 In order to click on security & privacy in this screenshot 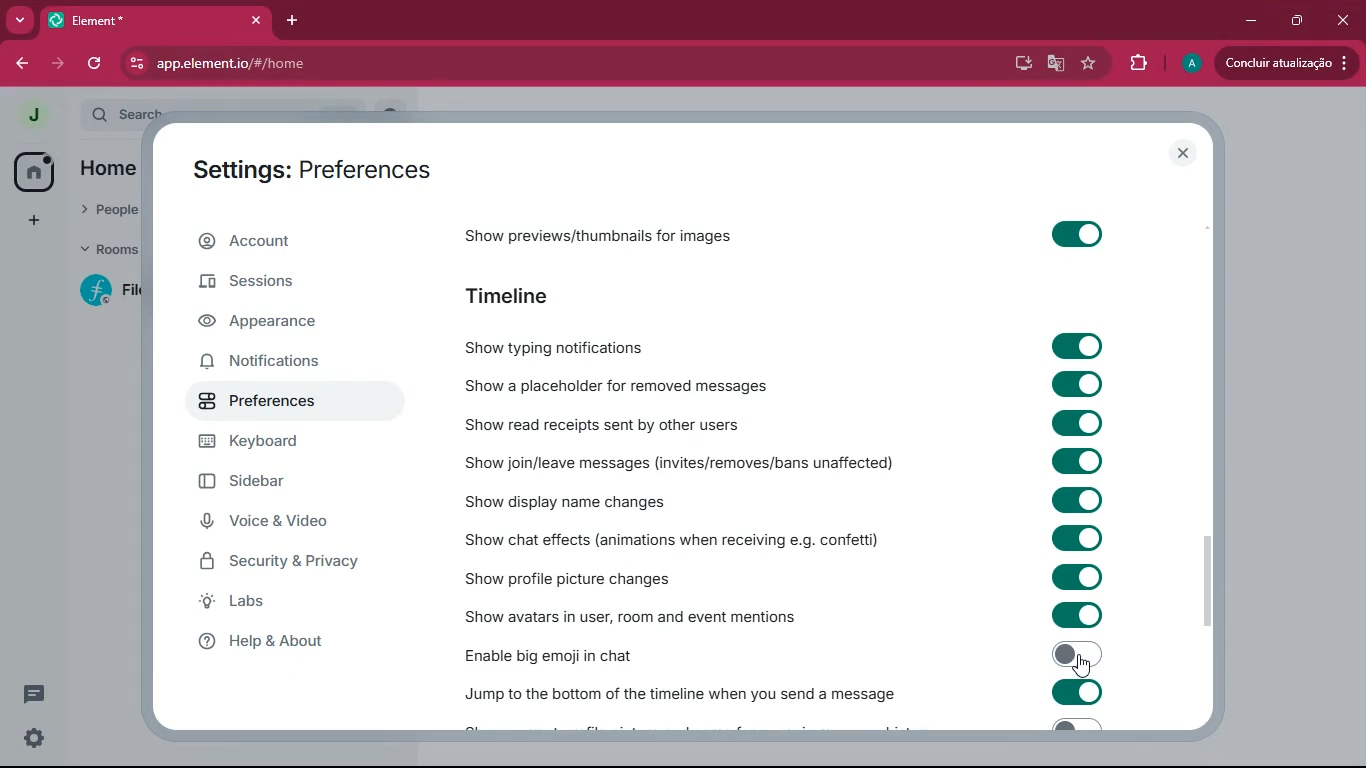, I will do `click(291, 563)`.